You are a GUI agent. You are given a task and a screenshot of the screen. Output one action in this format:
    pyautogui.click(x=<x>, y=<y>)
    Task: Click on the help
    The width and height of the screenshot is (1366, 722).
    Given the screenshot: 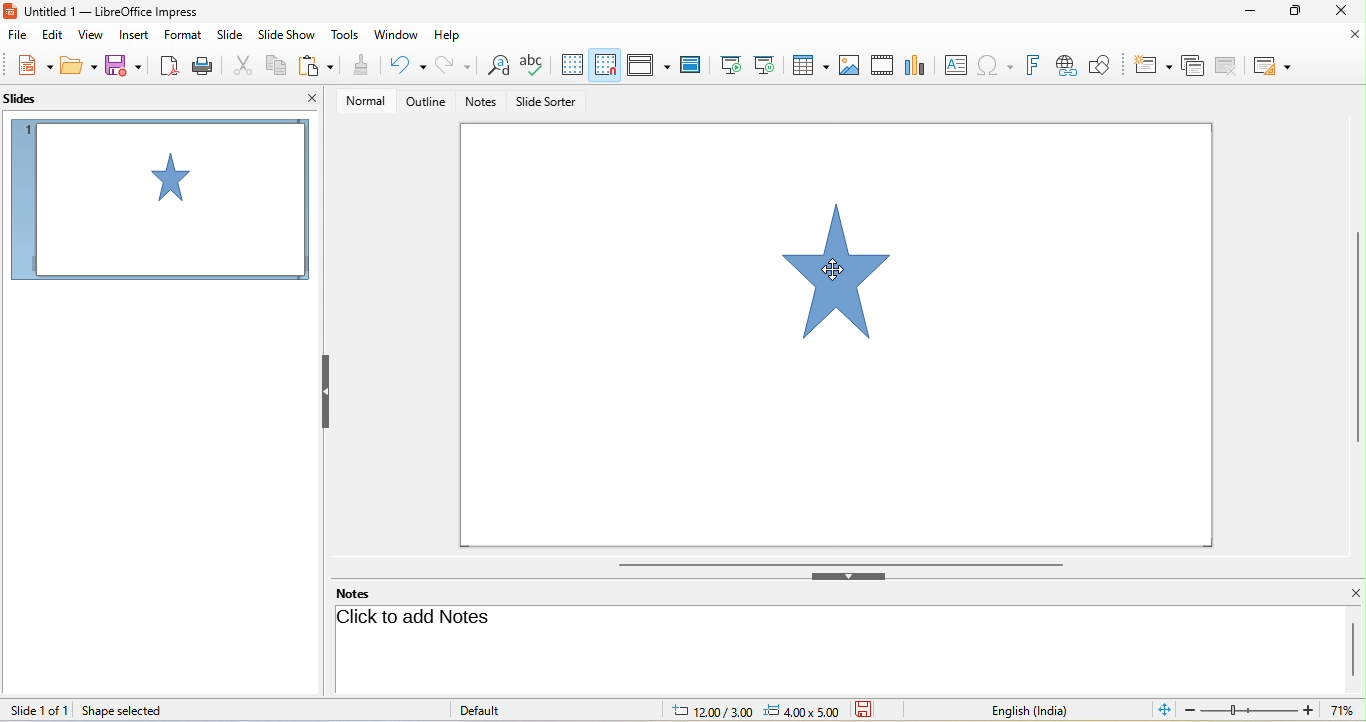 What is the action you would take?
    pyautogui.click(x=448, y=36)
    